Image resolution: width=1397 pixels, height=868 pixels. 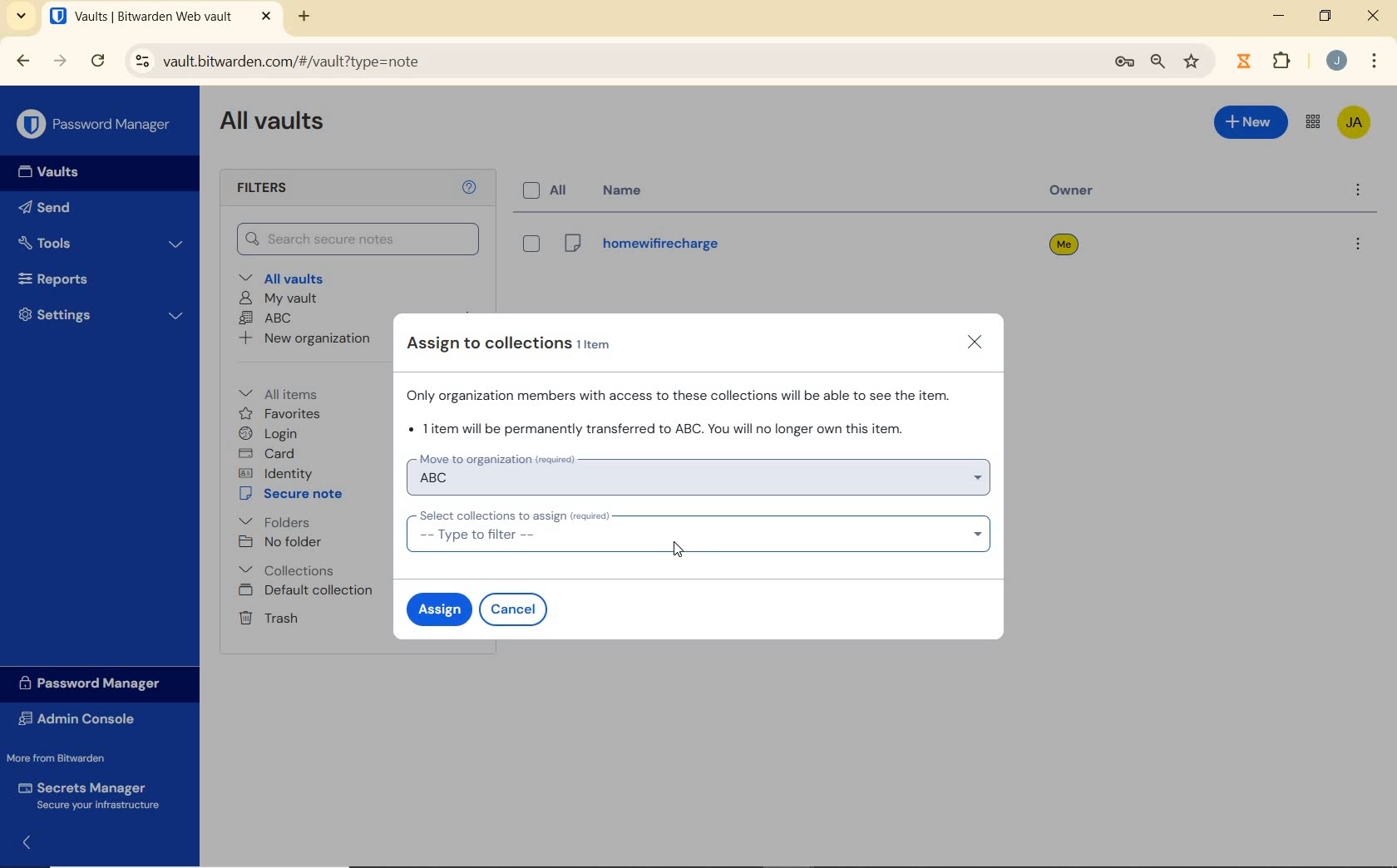 What do you see at coordinates (437, 609) in the screenshot?
I see `assign` at bounding box center [437, 609].